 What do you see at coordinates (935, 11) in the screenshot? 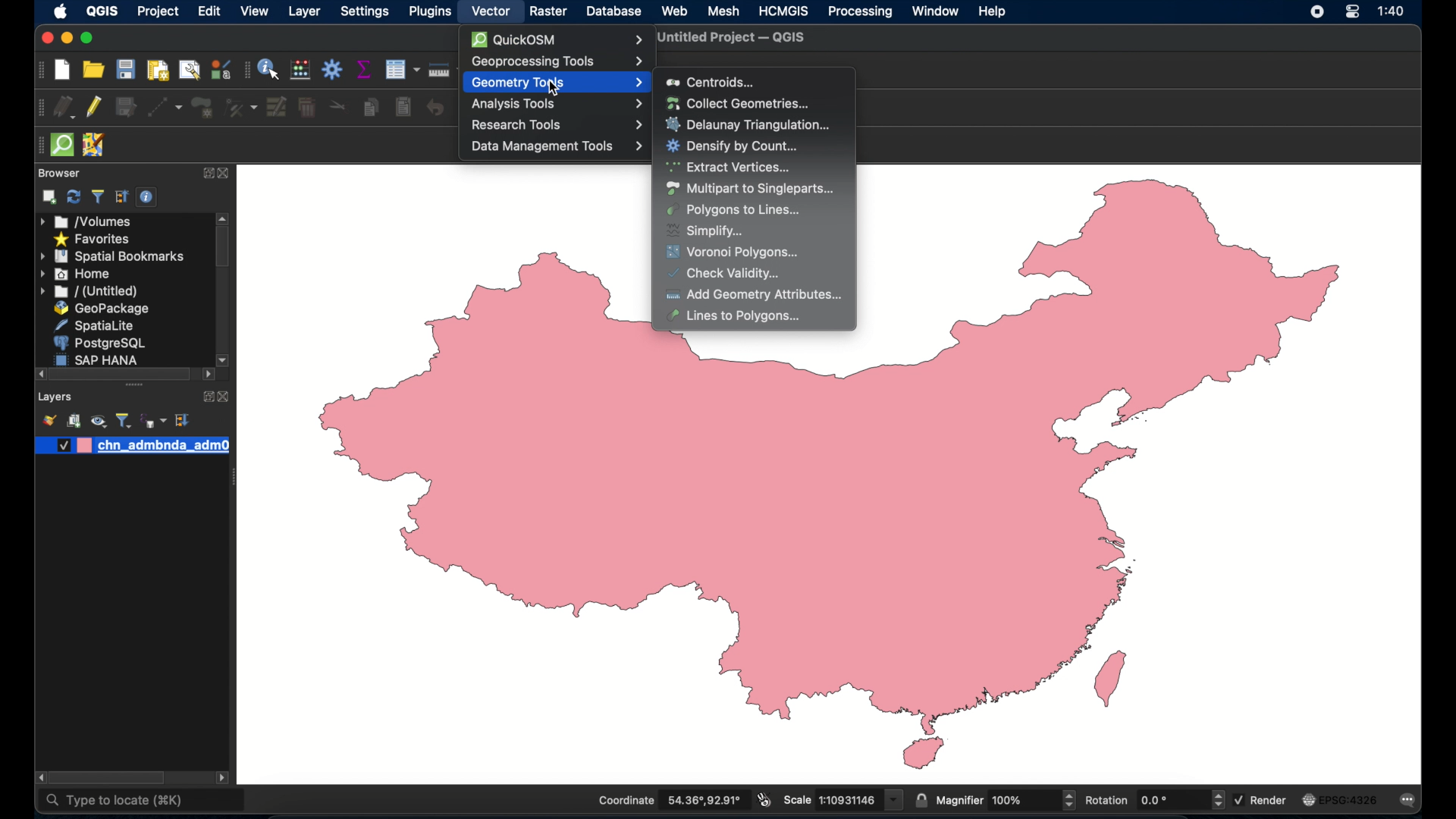
I see `window` at bounding box center [935, 11].